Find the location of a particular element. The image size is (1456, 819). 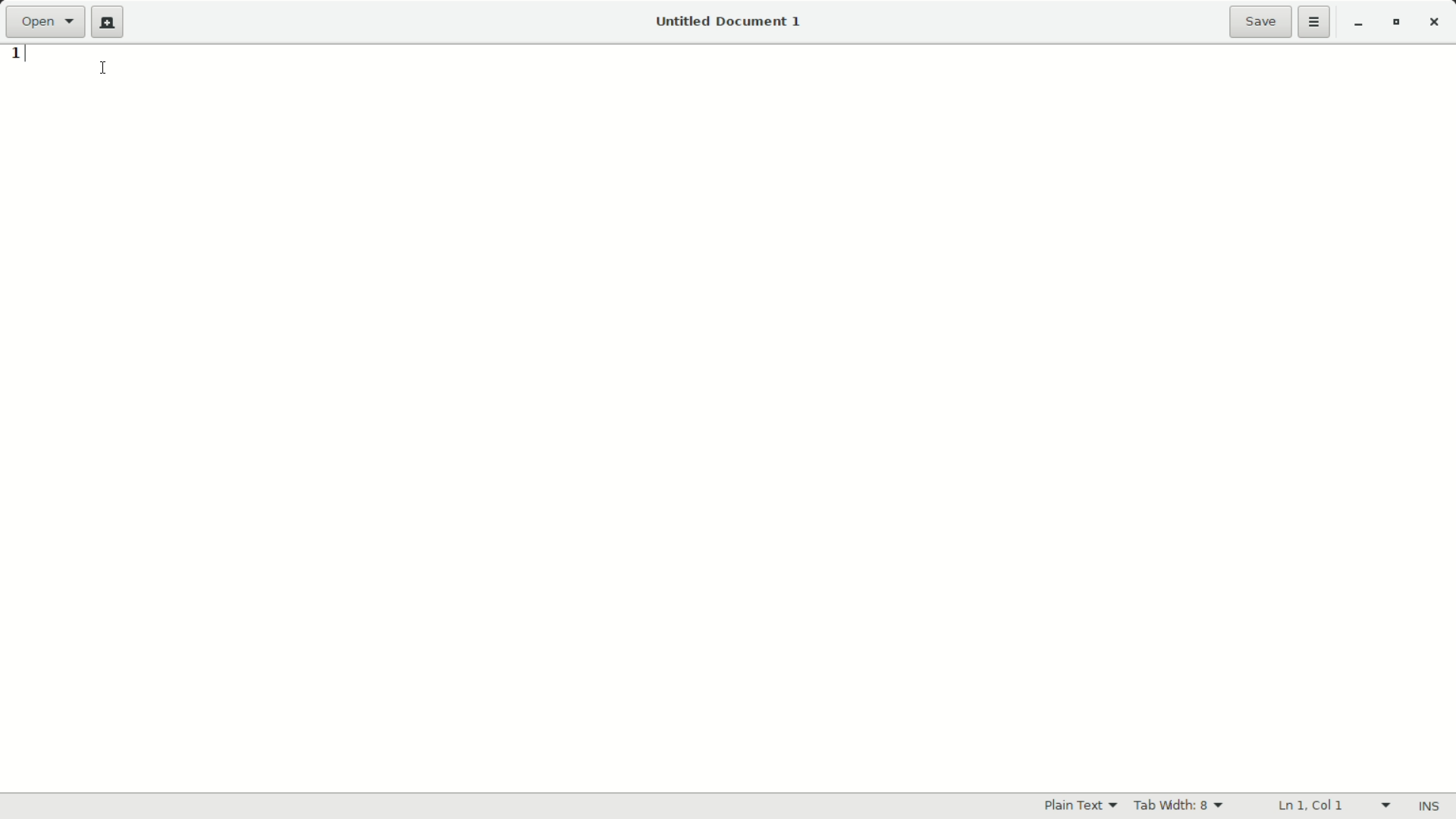

cursor is located at coordinates (104, 67).